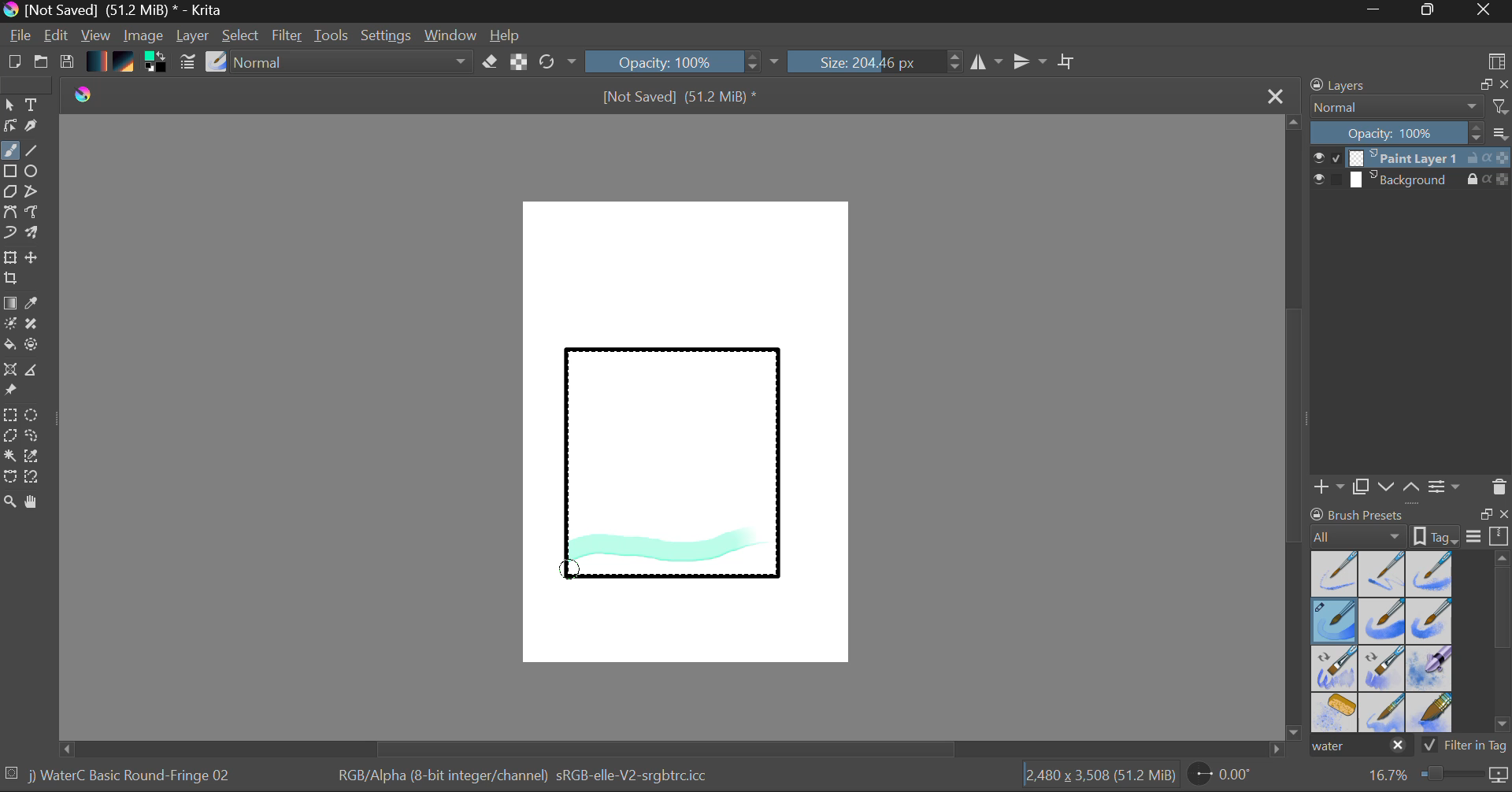  I want to click on Move Layer Down, so click(1388, 487).